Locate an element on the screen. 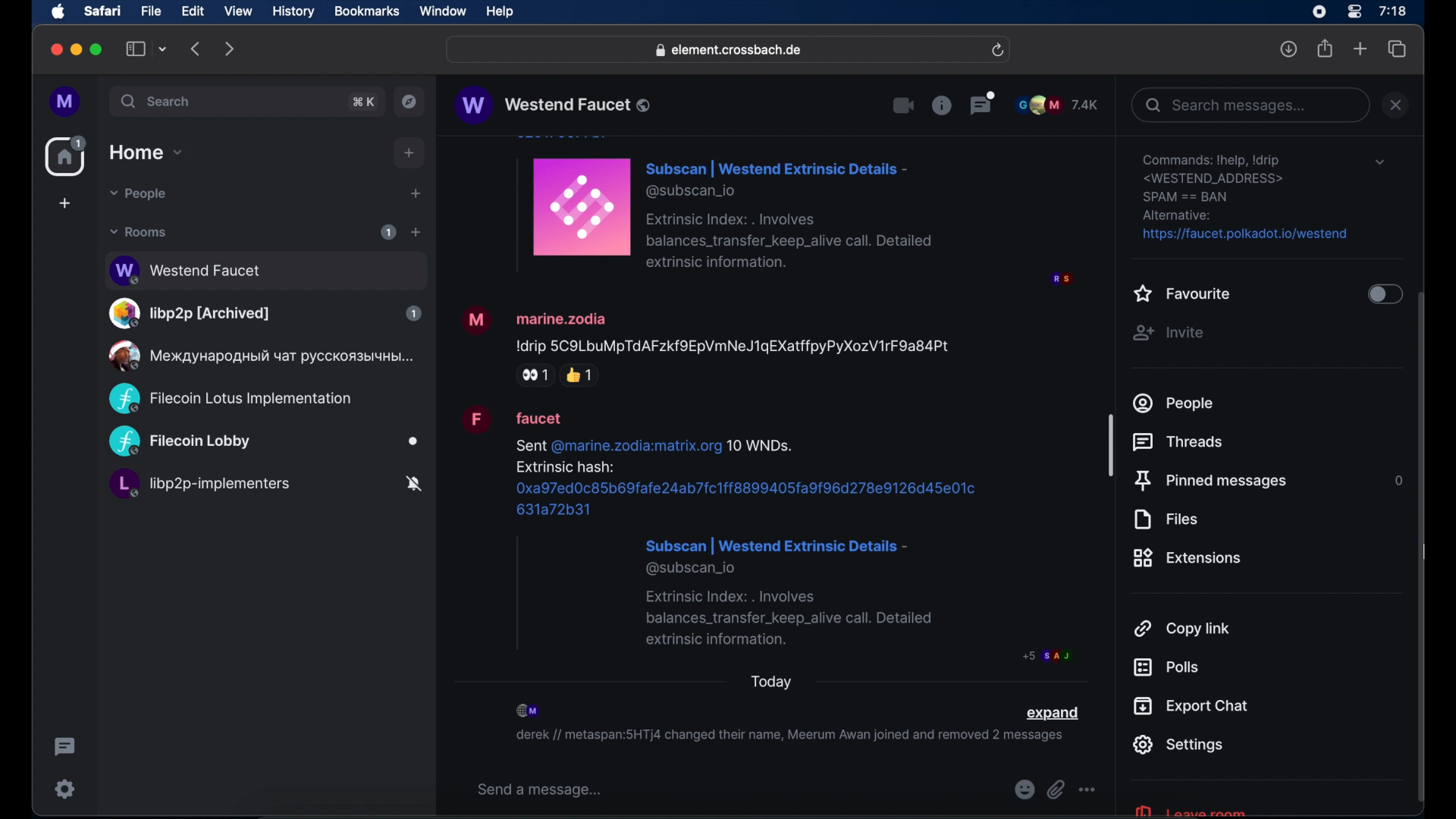 Image resolution: width=1456 pixels, height=819 pixels. safari is located at coordinates (102, 11).